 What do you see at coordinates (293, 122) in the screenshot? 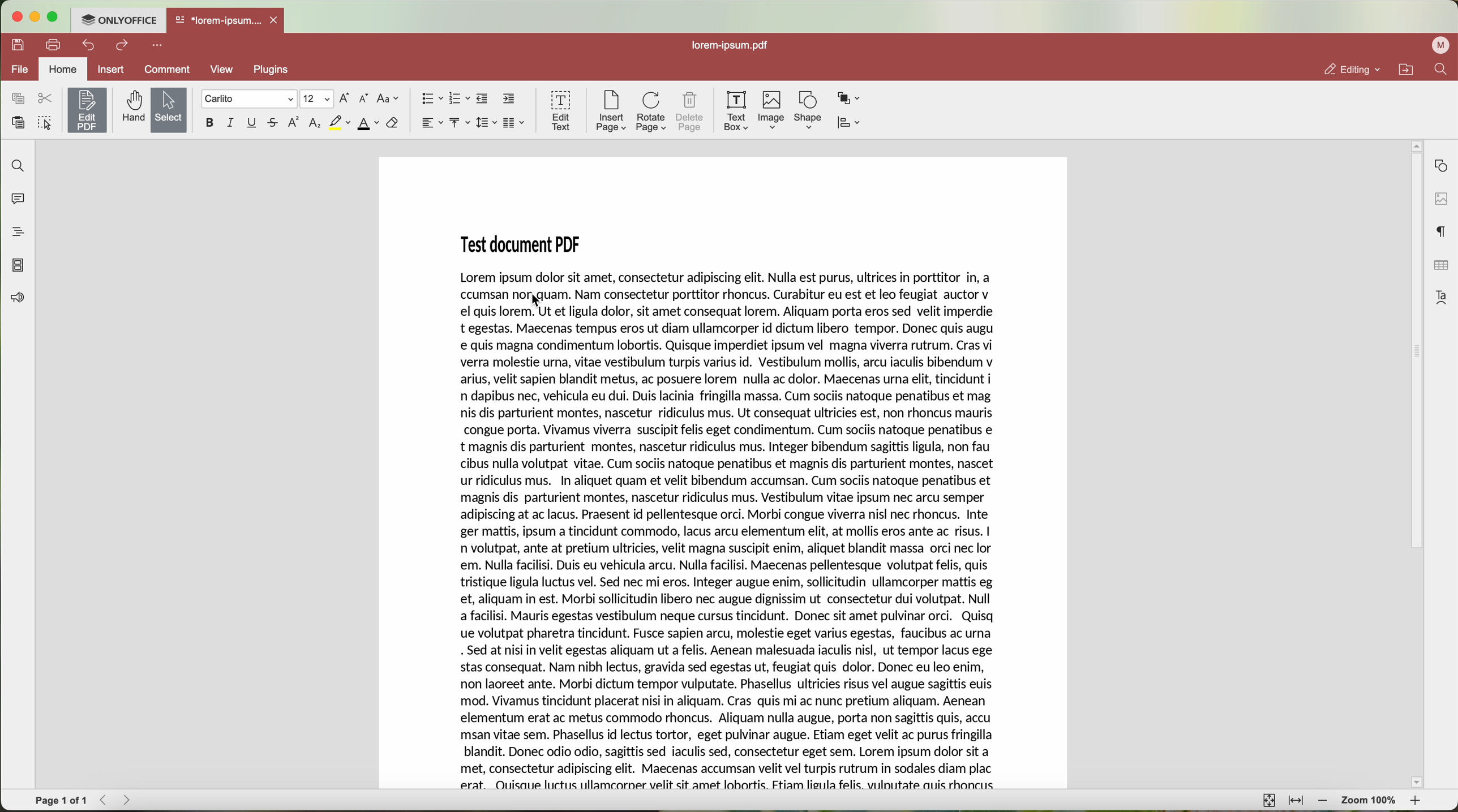
I see `superscript` at bounding box center [293, 122].